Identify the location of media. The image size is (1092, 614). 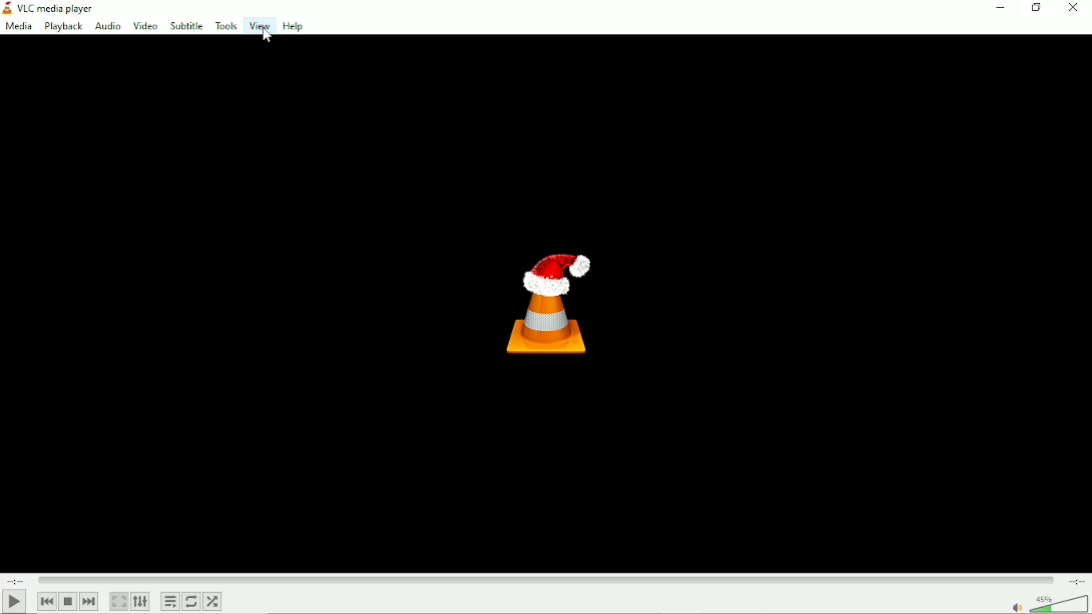
(18, 28).